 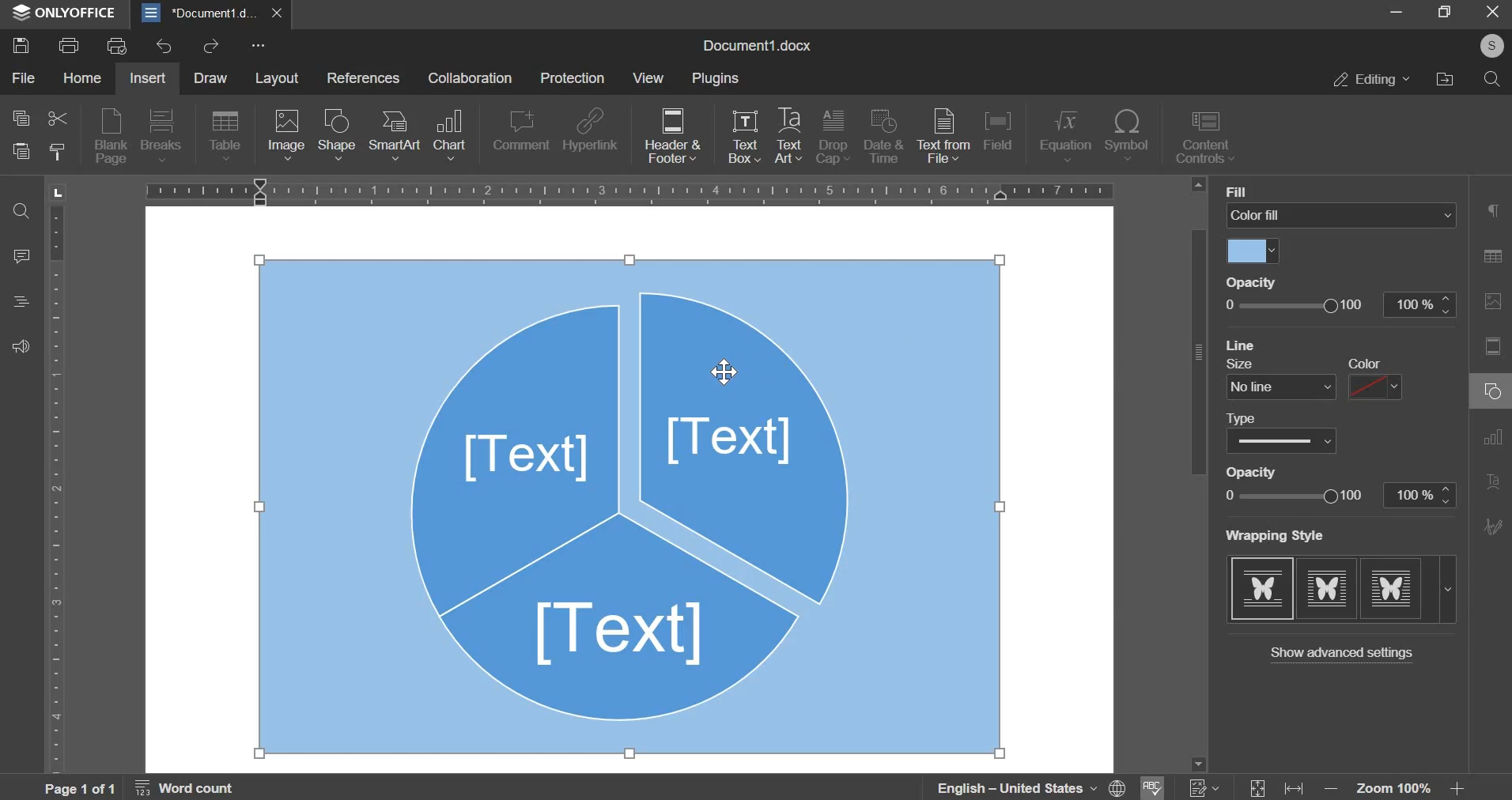 I want to click on vertical slider, so click(x=1199, y=477).